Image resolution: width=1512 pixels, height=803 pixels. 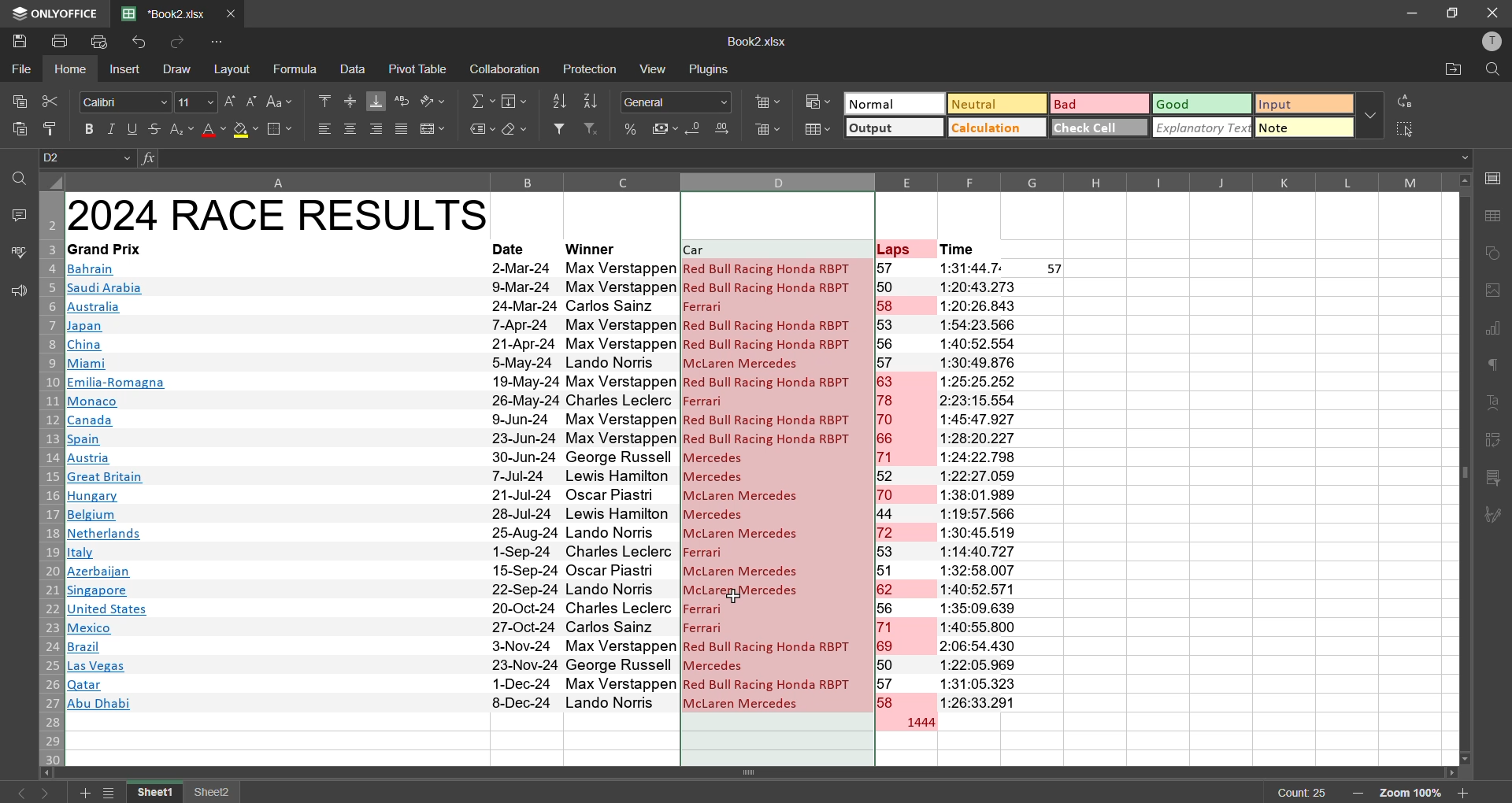 I want to click on filename, so click(x=169, y=12).